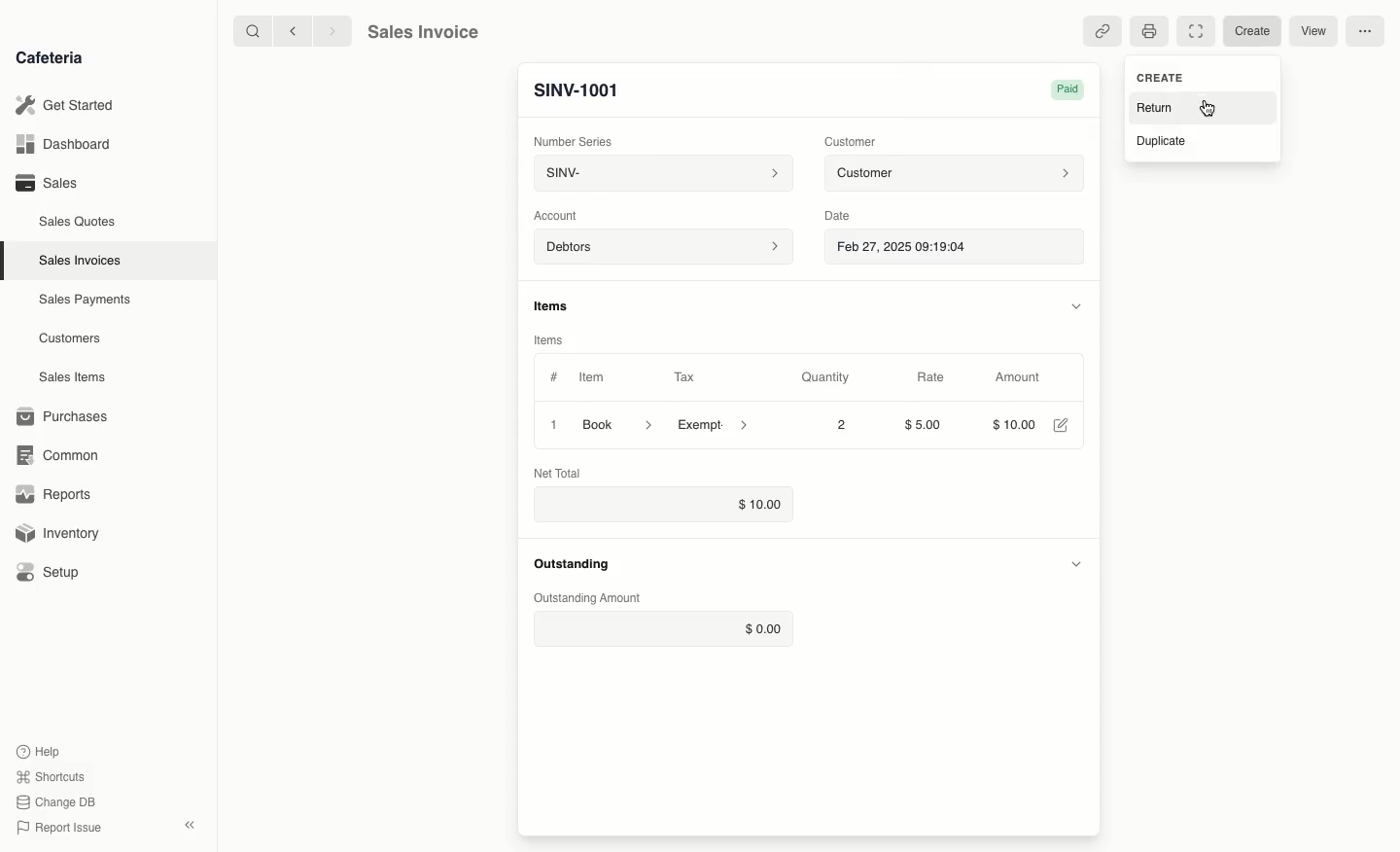 The image size is (1400, 852). What do you see at coordinates (572, 564) in the screenshot?
I see `Outstanding` at bounding box center [572, 564].